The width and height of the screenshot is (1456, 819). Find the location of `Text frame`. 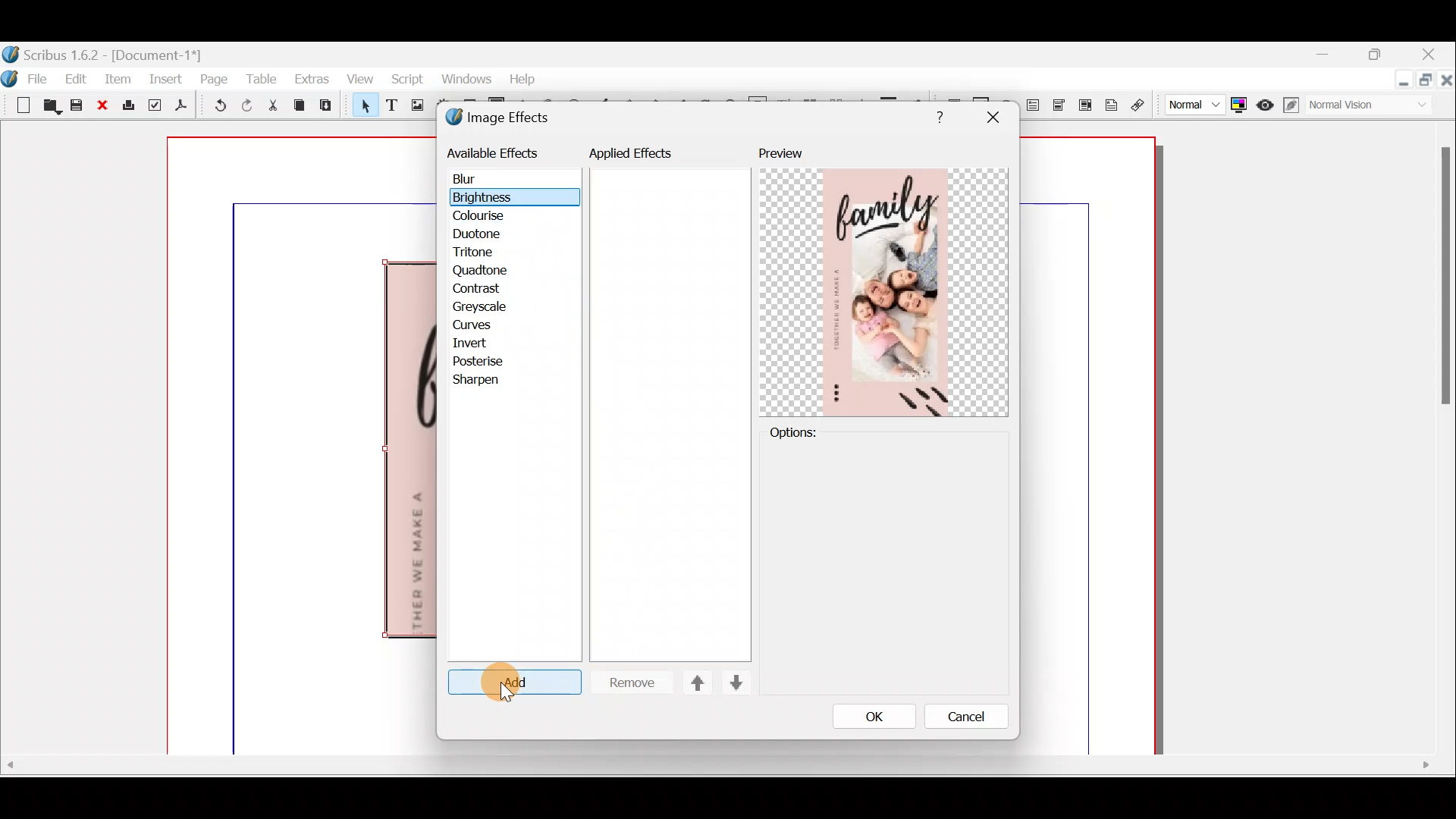

Text frame is located at coordinates (391, 106).